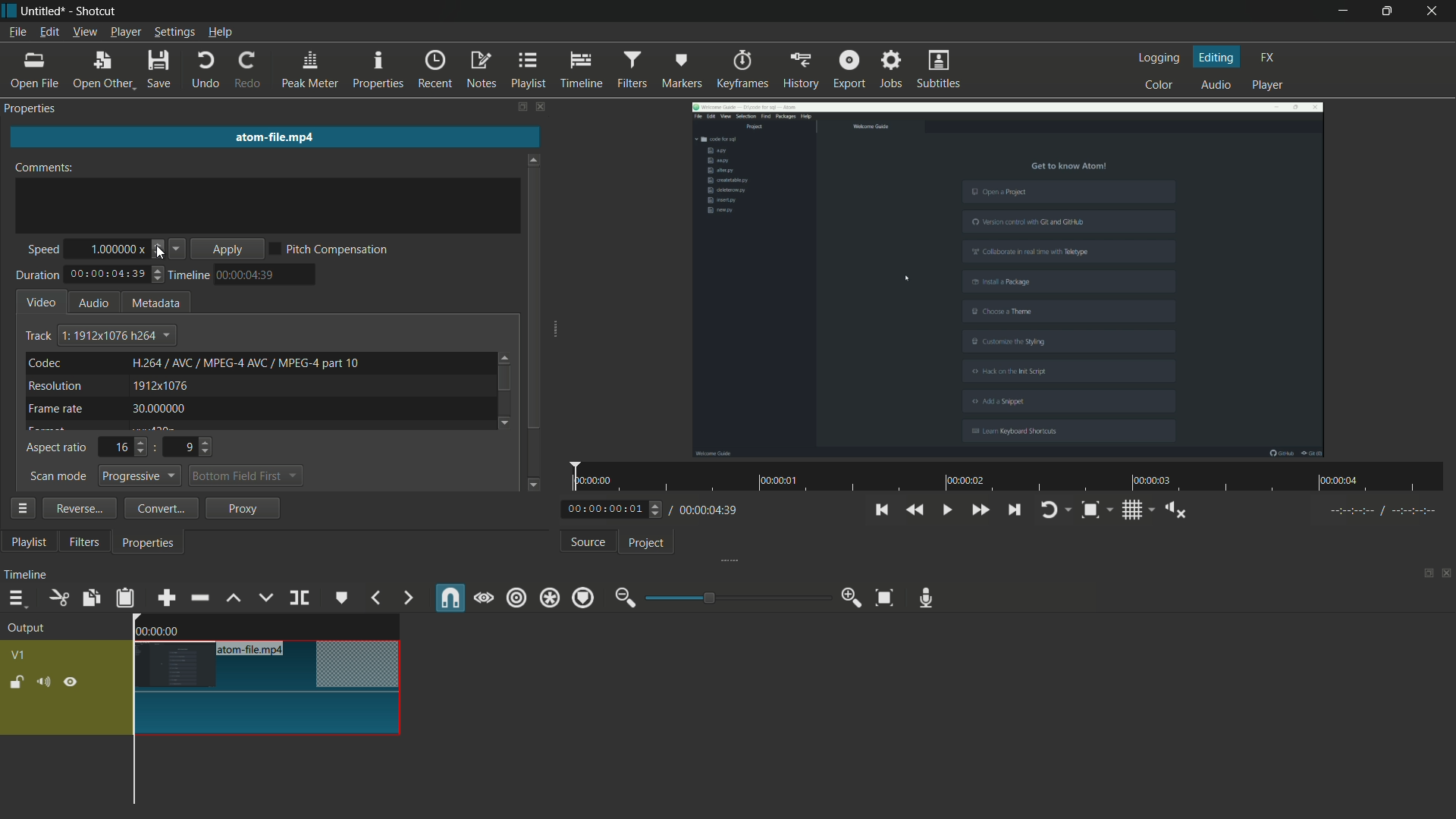 The image size is (1456, 819). I want to click on expand, so click(560, 331).